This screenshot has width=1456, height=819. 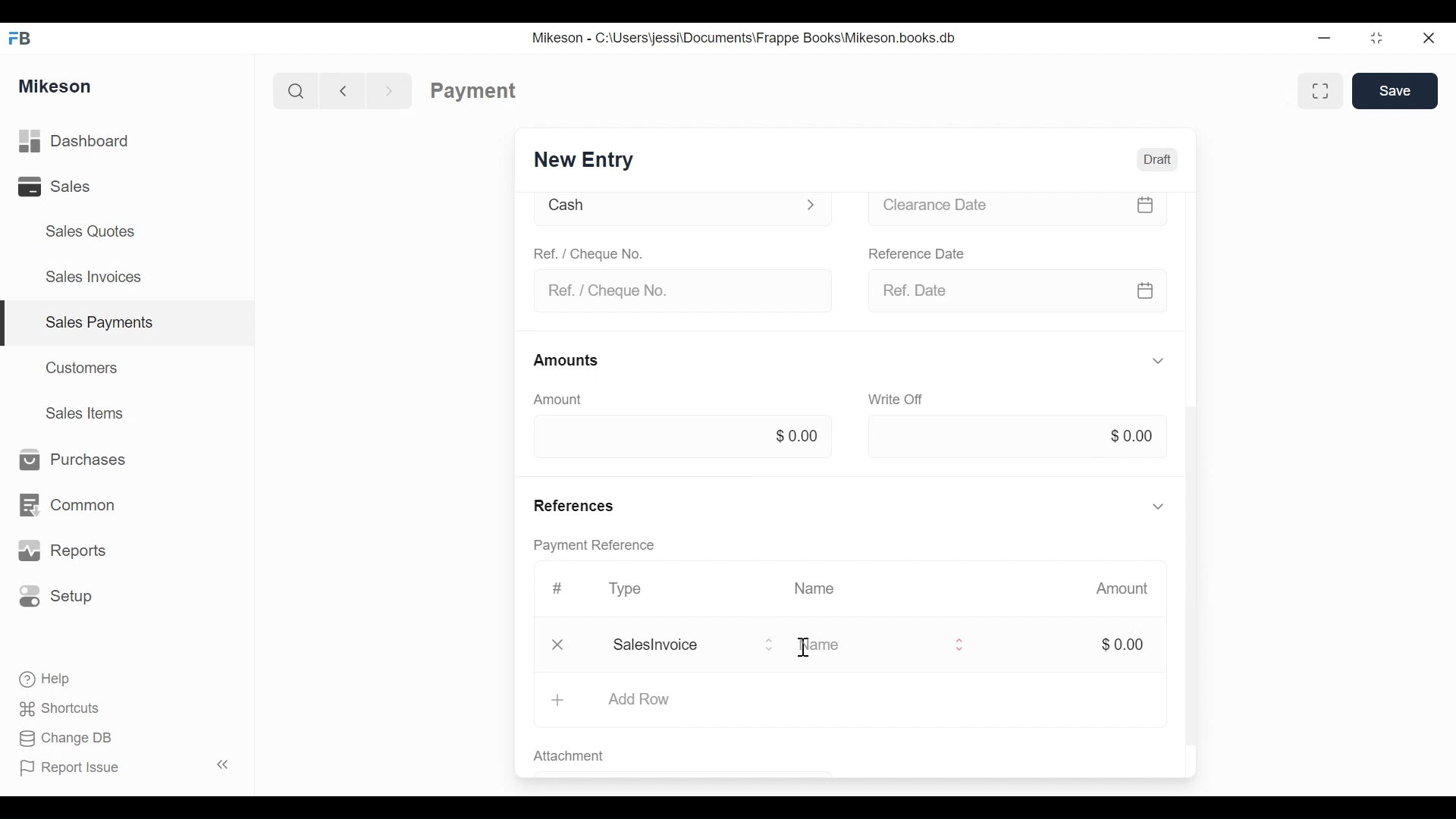 What do you see at coordinates (72, 460) in the screenshot?
I see `Purchases` at bounding box center [72, 460].